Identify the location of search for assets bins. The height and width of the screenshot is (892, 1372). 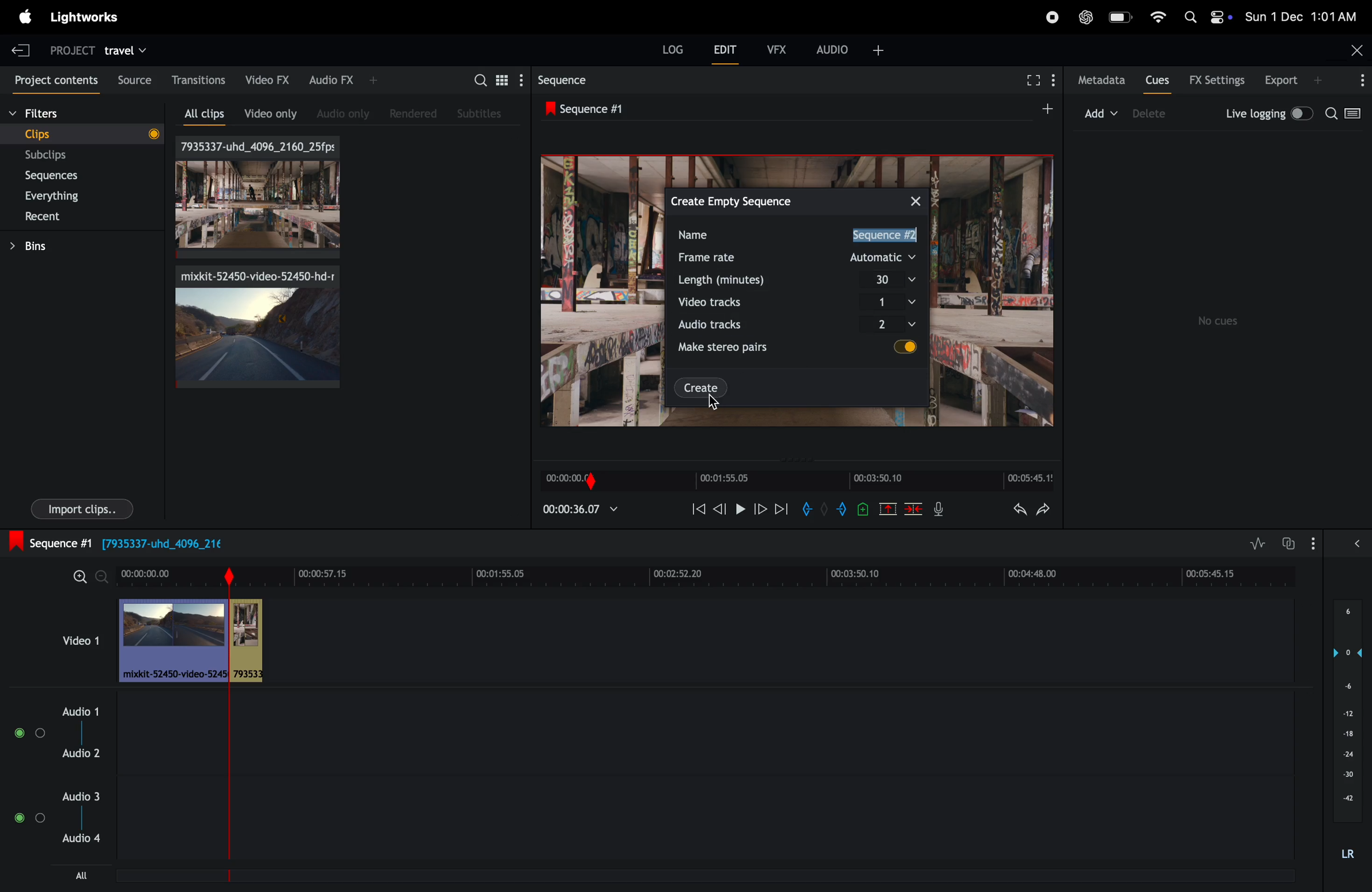
(478, 84).